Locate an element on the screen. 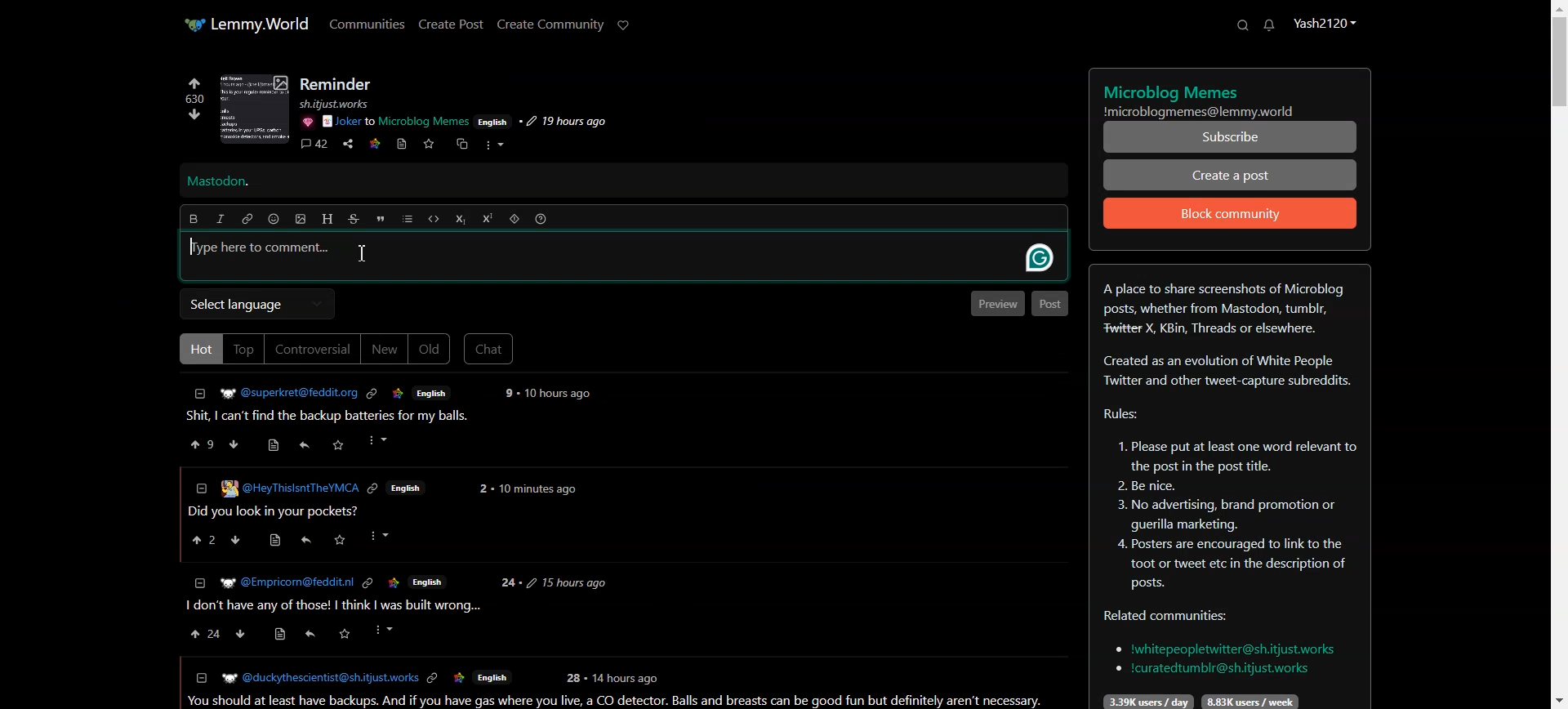 The height and width of the screenshot is (709, 1568). Go to source is located at coordinates (403, 144).